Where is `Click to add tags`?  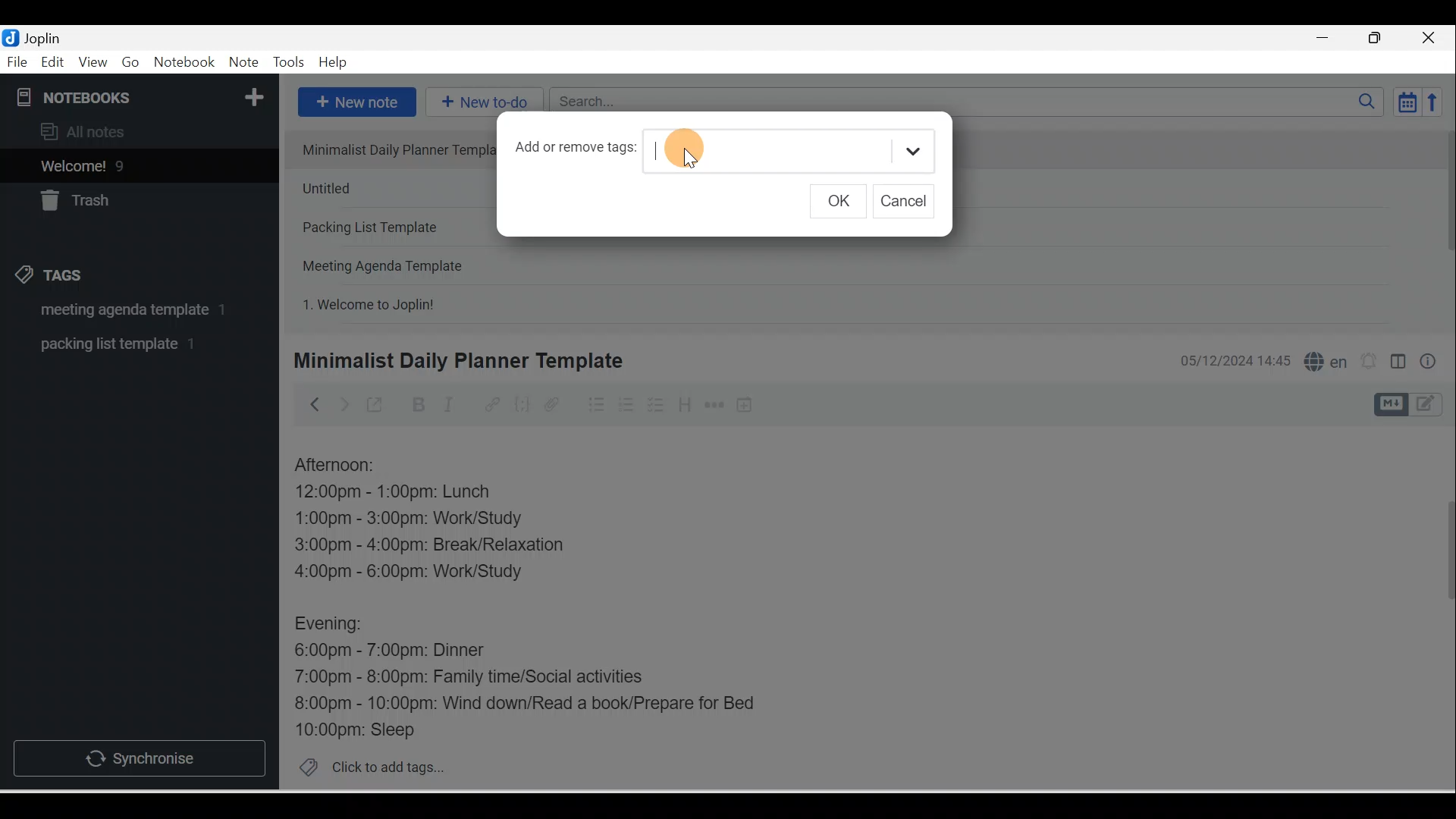
Click to add tags is located at coordinates (366, 765).